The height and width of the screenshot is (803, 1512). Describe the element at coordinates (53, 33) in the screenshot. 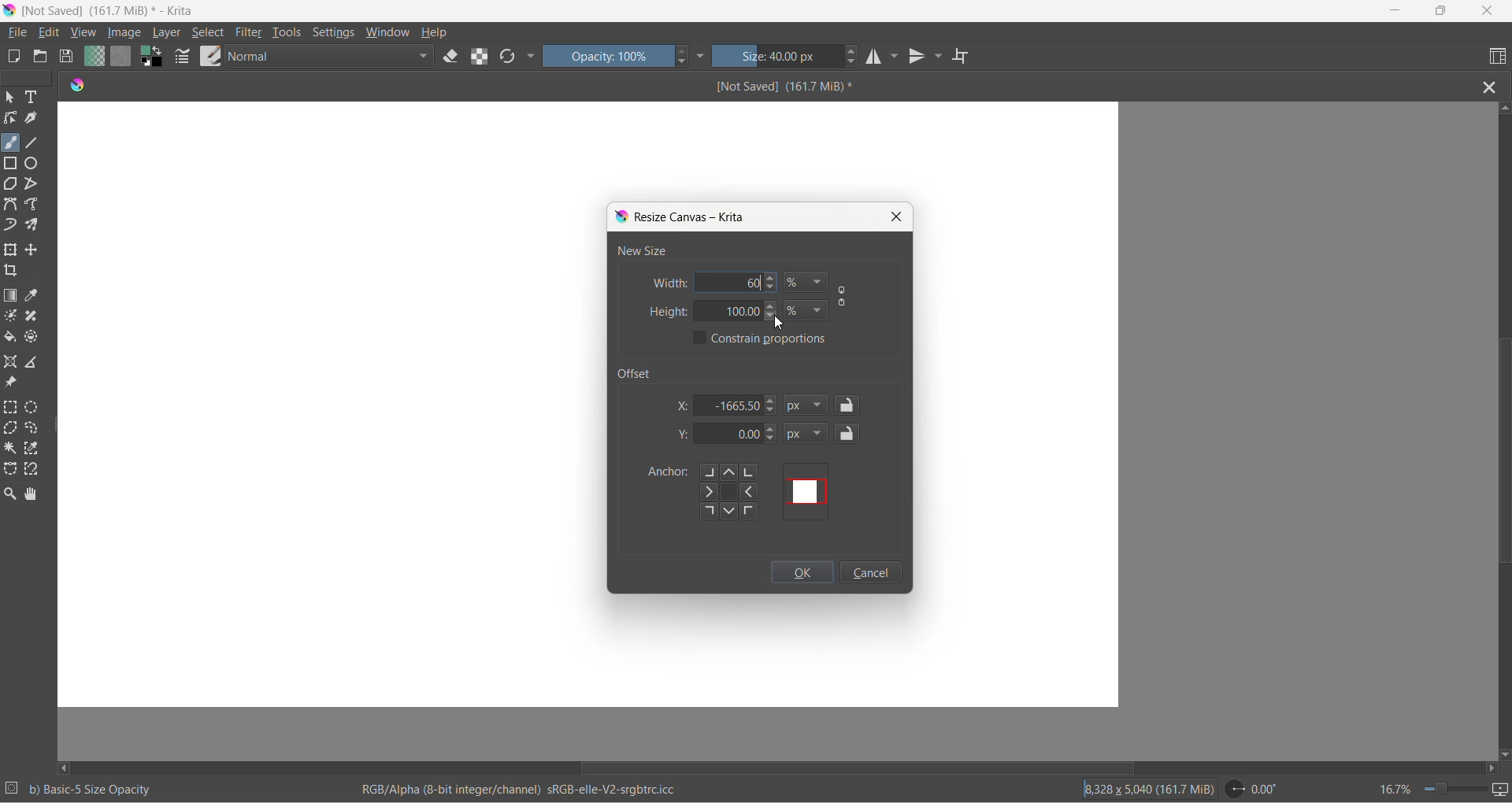

I see `edit` at that location.